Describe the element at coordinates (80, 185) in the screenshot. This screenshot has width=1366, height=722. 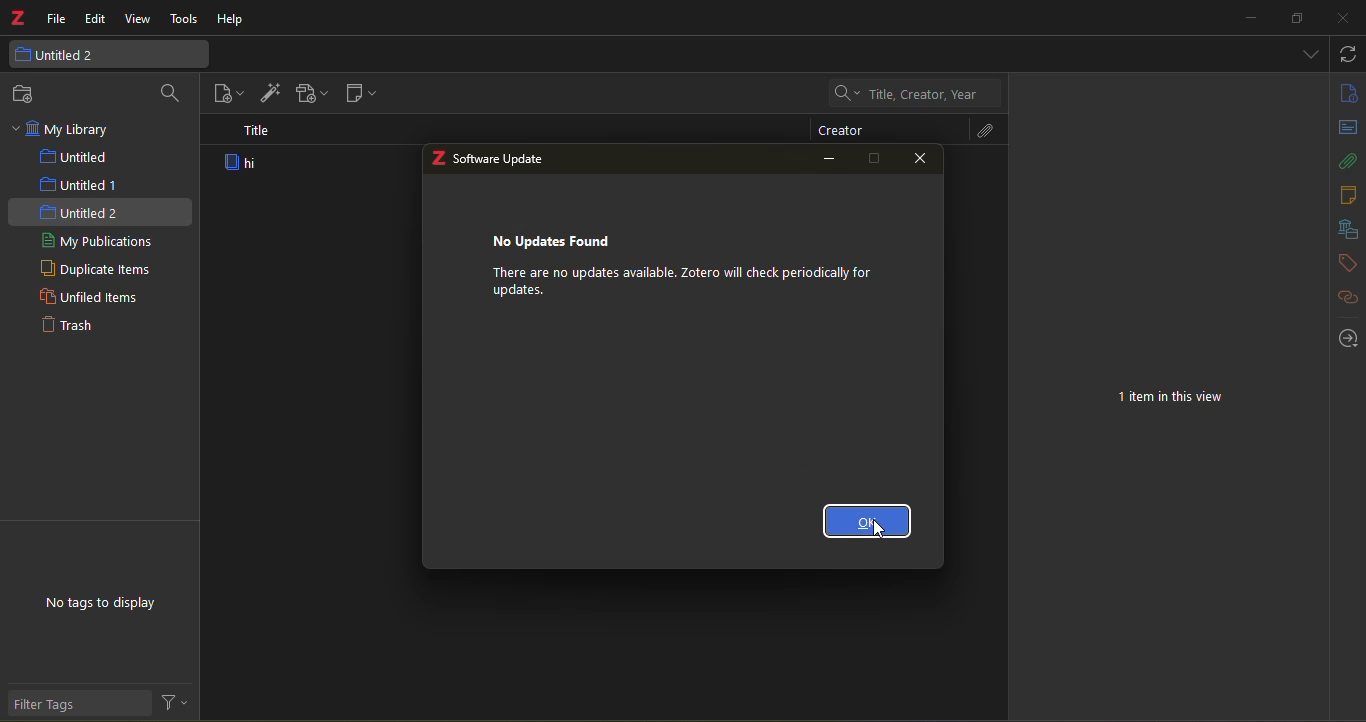
I see `untitled 1` at that location.